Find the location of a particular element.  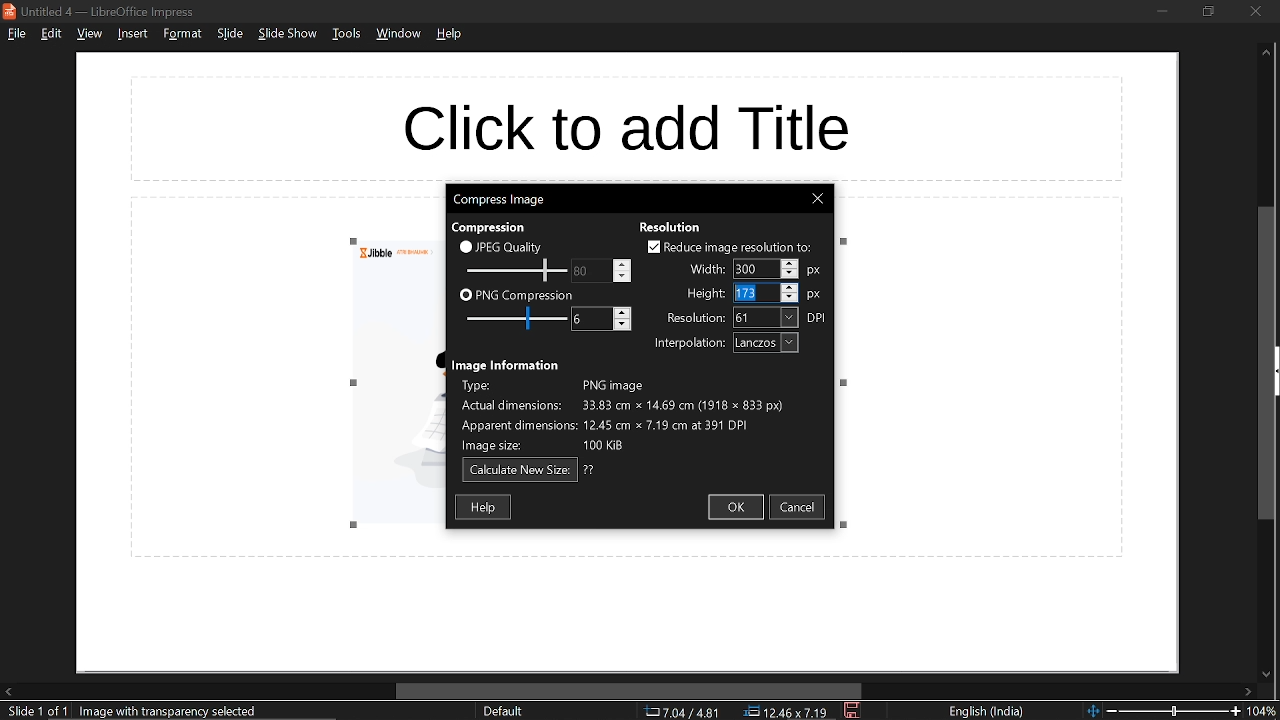

text is located at coordinates (590, 470).